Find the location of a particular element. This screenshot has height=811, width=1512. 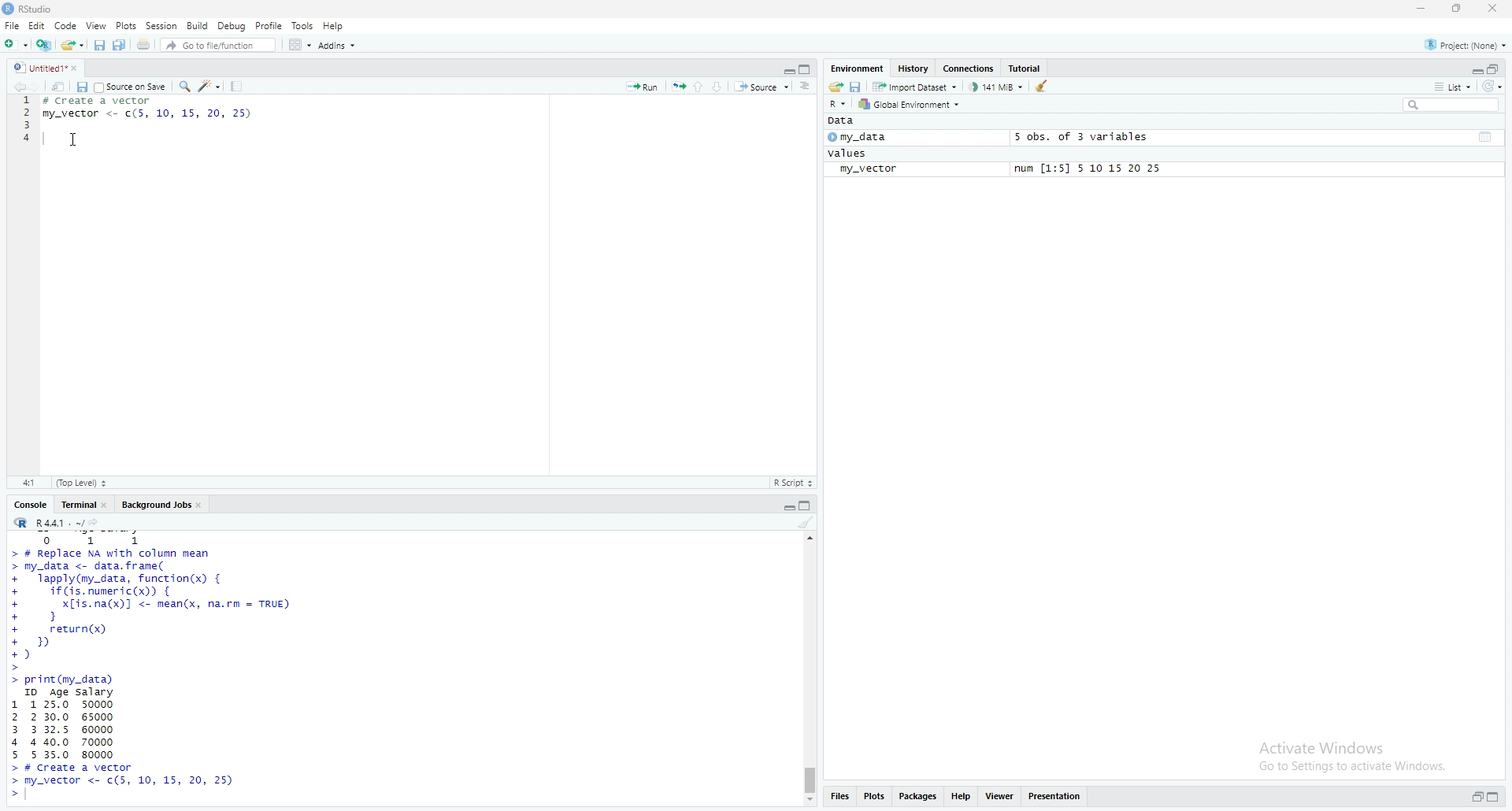

save workspace is located at coordinates (857, 87).